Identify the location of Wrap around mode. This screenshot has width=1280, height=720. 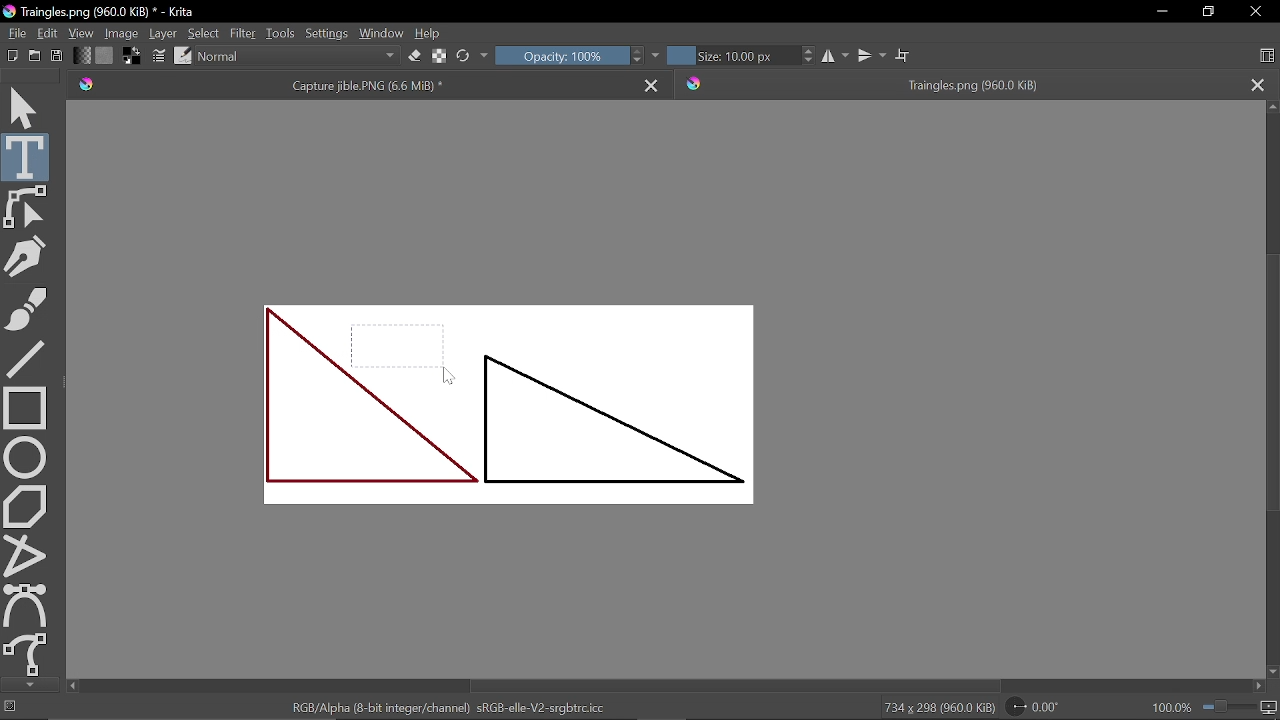
(905, 57).